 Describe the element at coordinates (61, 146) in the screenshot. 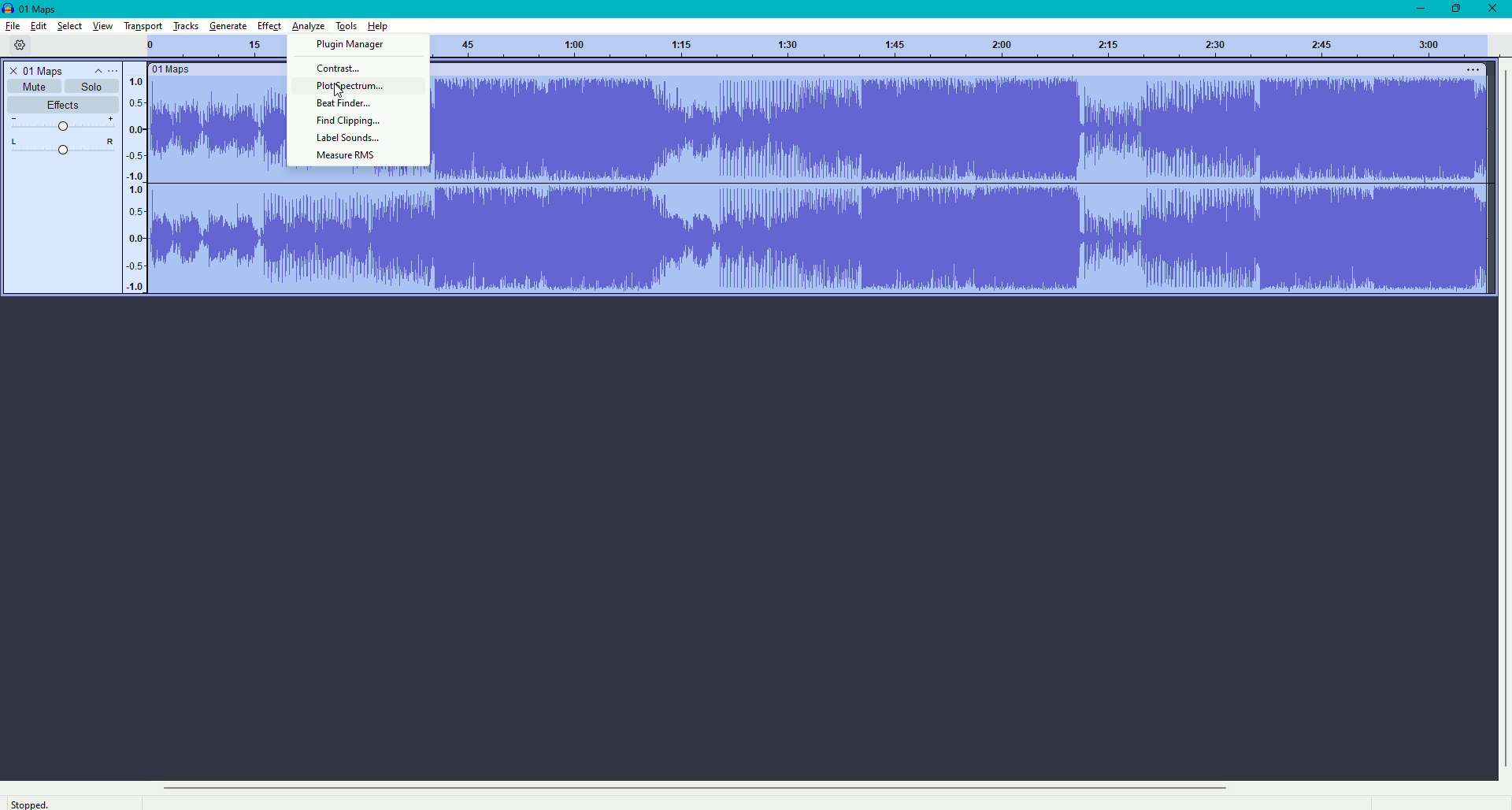

I see `L-R Slider` at that location.